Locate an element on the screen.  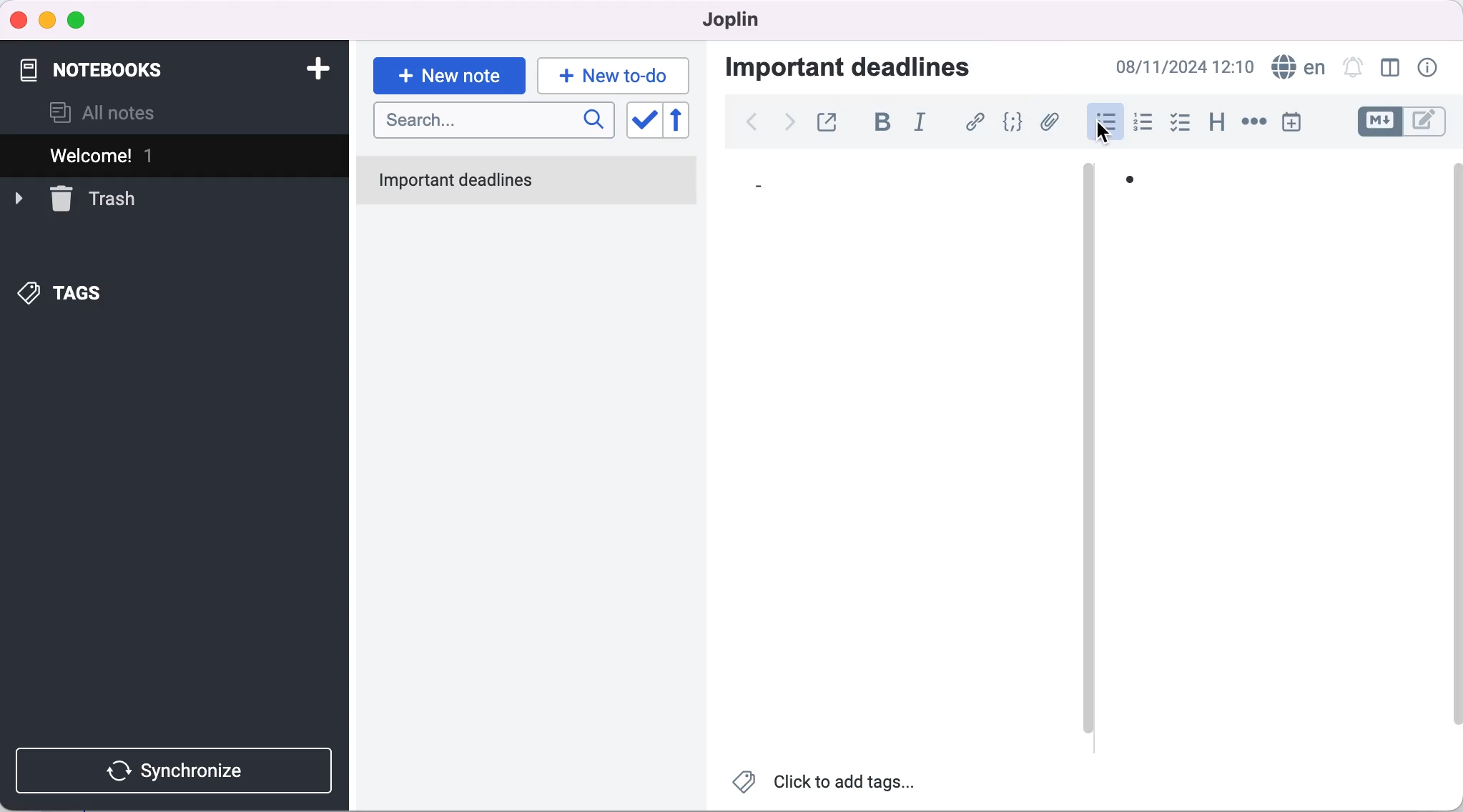
checkbox is located at coordinates (1181, 124).